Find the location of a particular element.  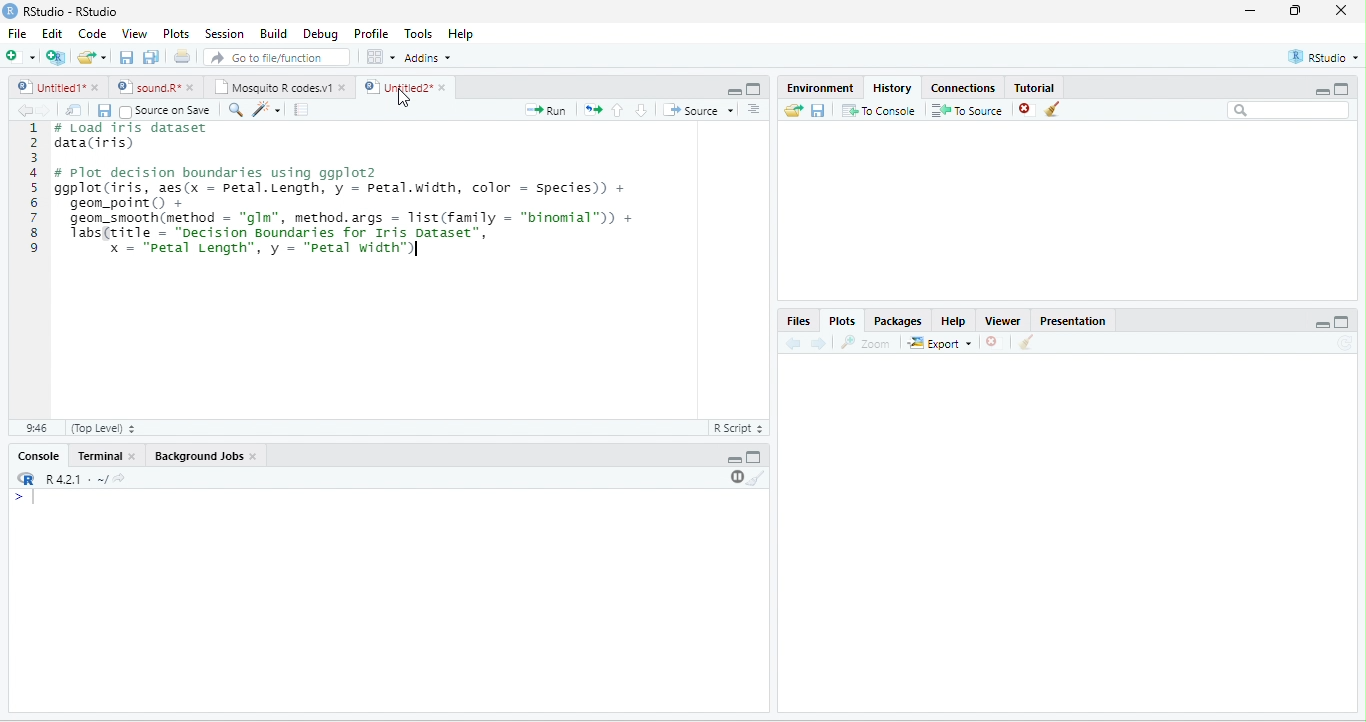

Zoom is located at coordinates (864, 343).